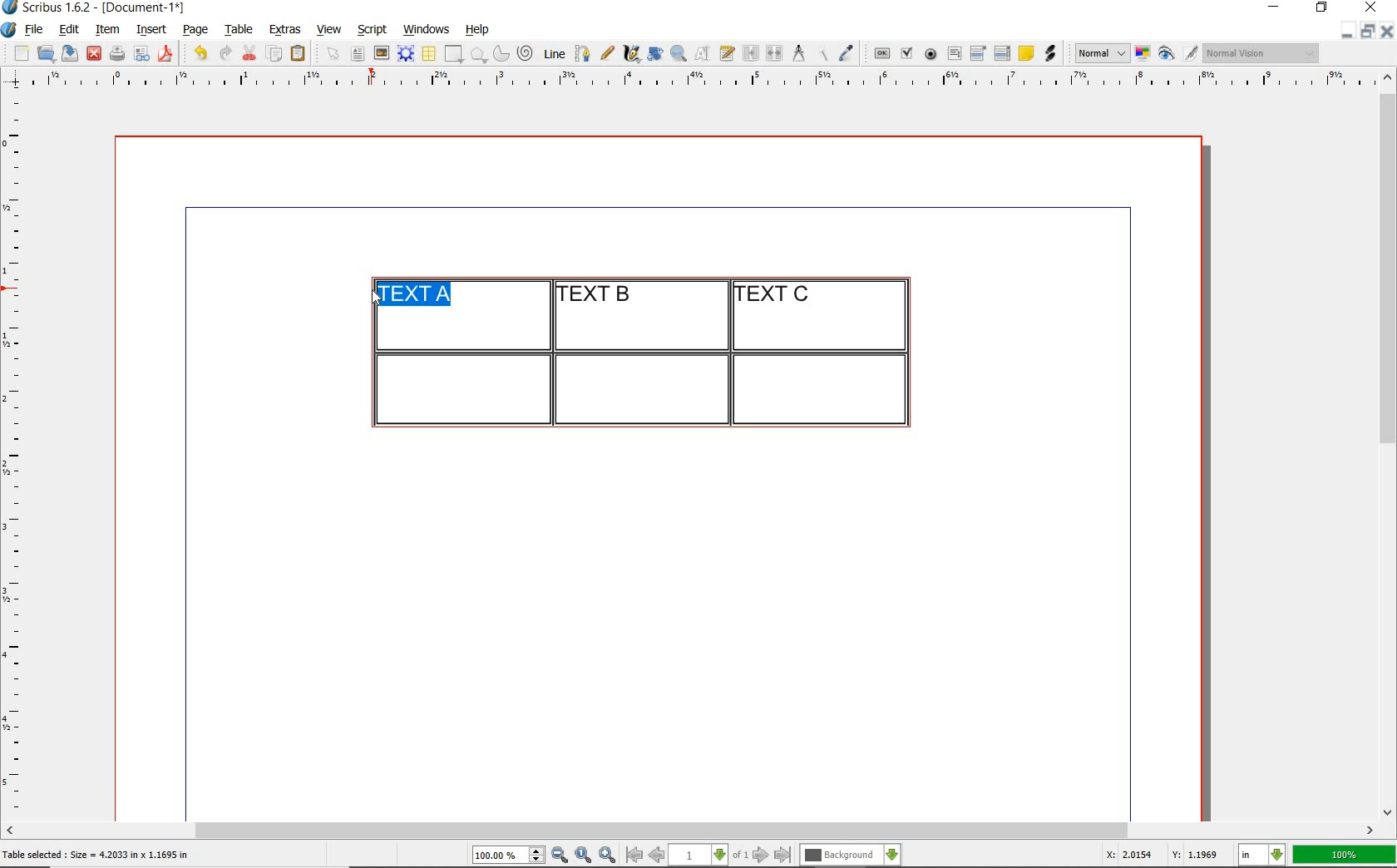 The image size is (1397, 868). I want to click on toggle color management, so click(1144, 55).